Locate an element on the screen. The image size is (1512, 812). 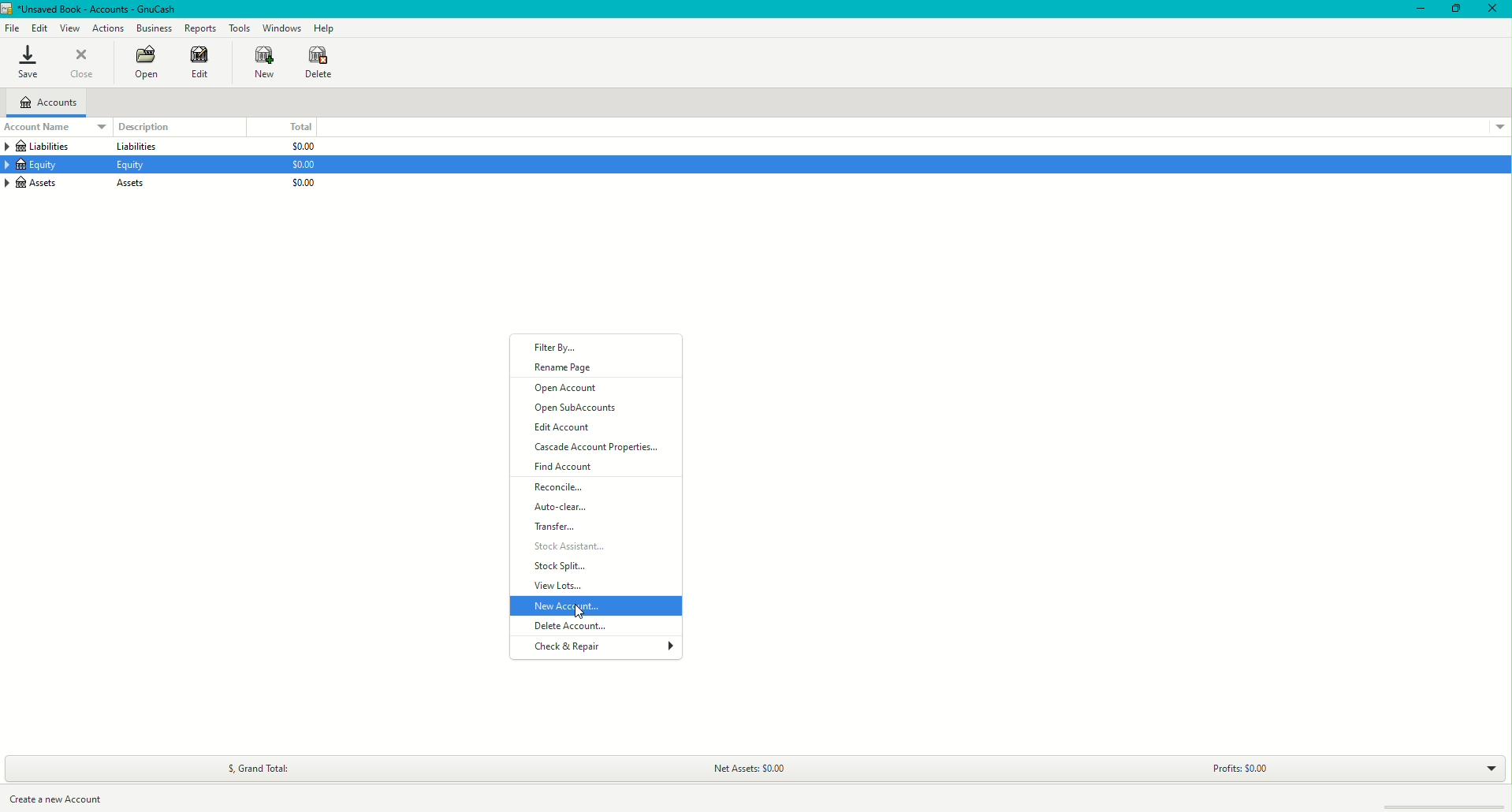
Check & Repair is located at coordinates (568, 648).